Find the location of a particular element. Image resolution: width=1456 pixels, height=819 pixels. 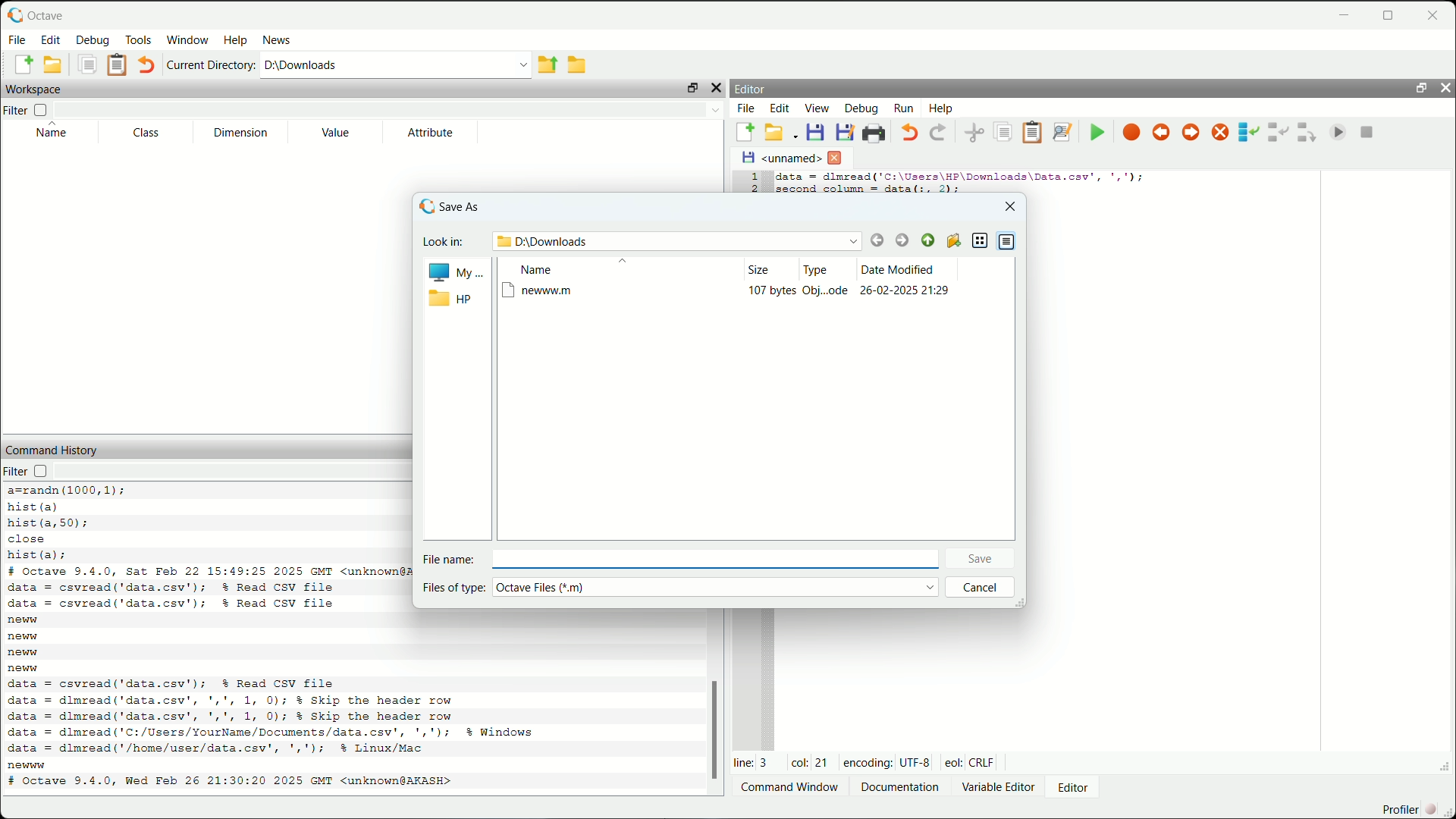

serial numbers is located at coordinates (752, 180).